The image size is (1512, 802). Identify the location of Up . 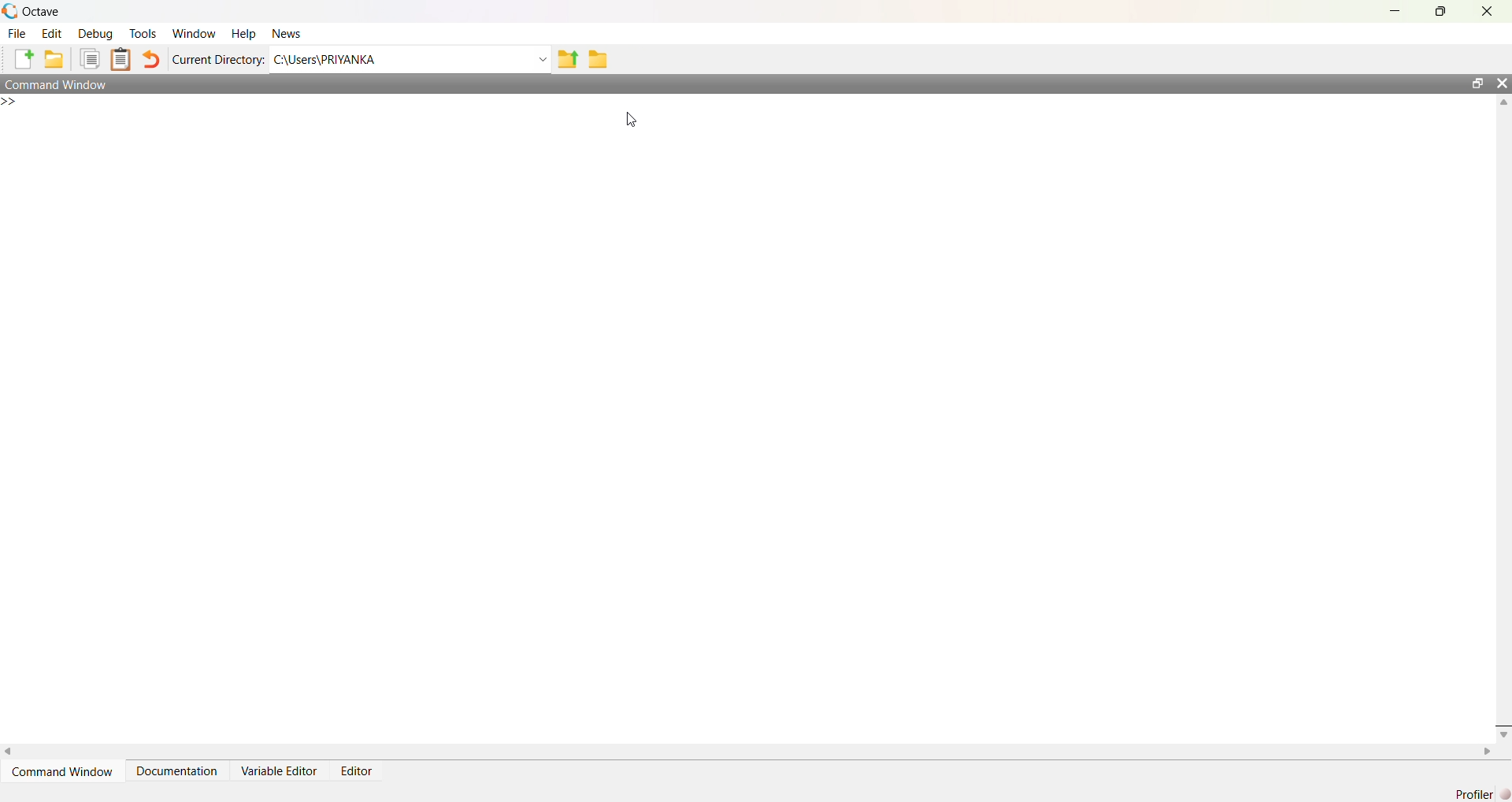
(1503, 105).